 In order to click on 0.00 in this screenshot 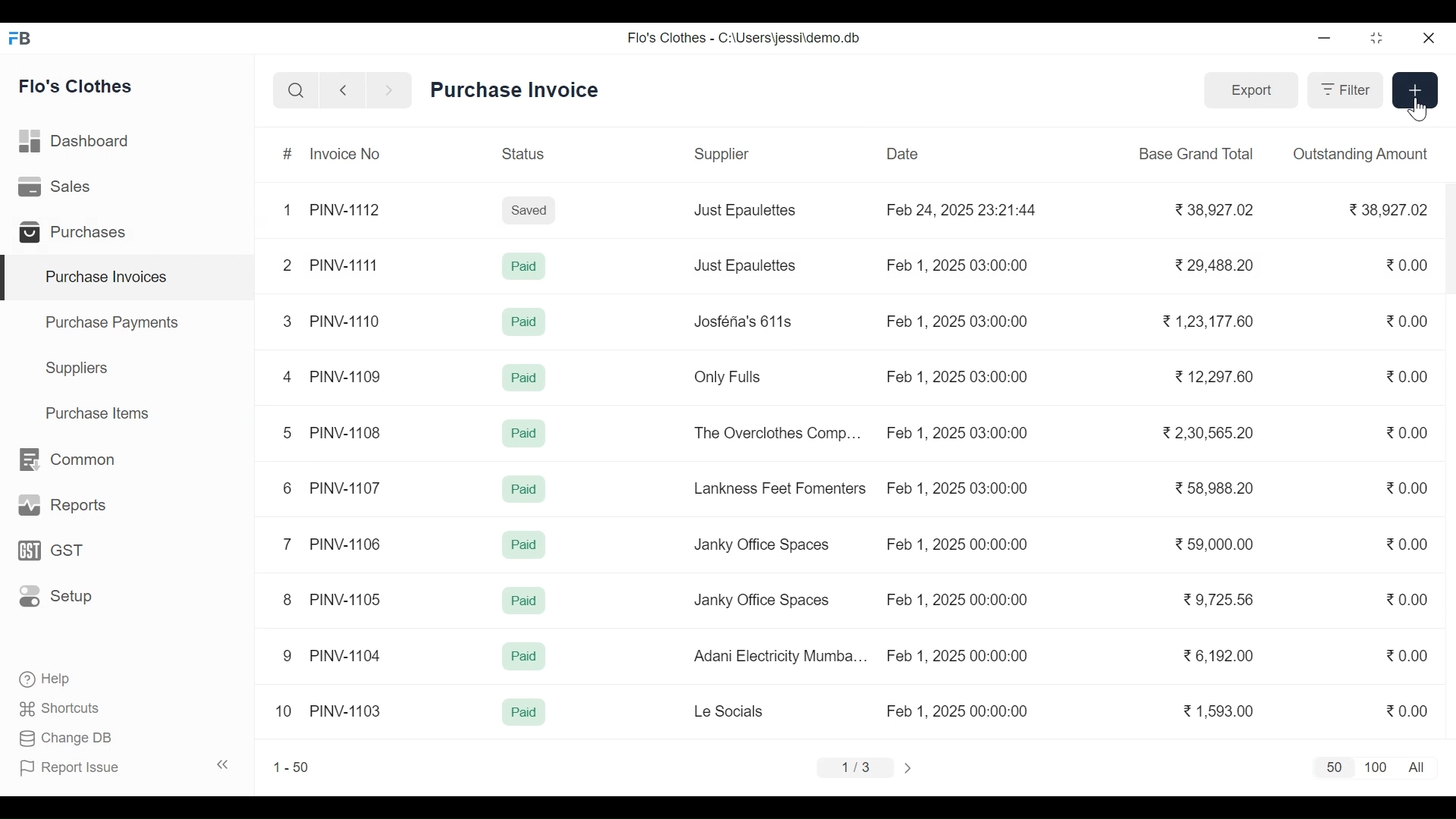, I will do `click(1407, 600)`.